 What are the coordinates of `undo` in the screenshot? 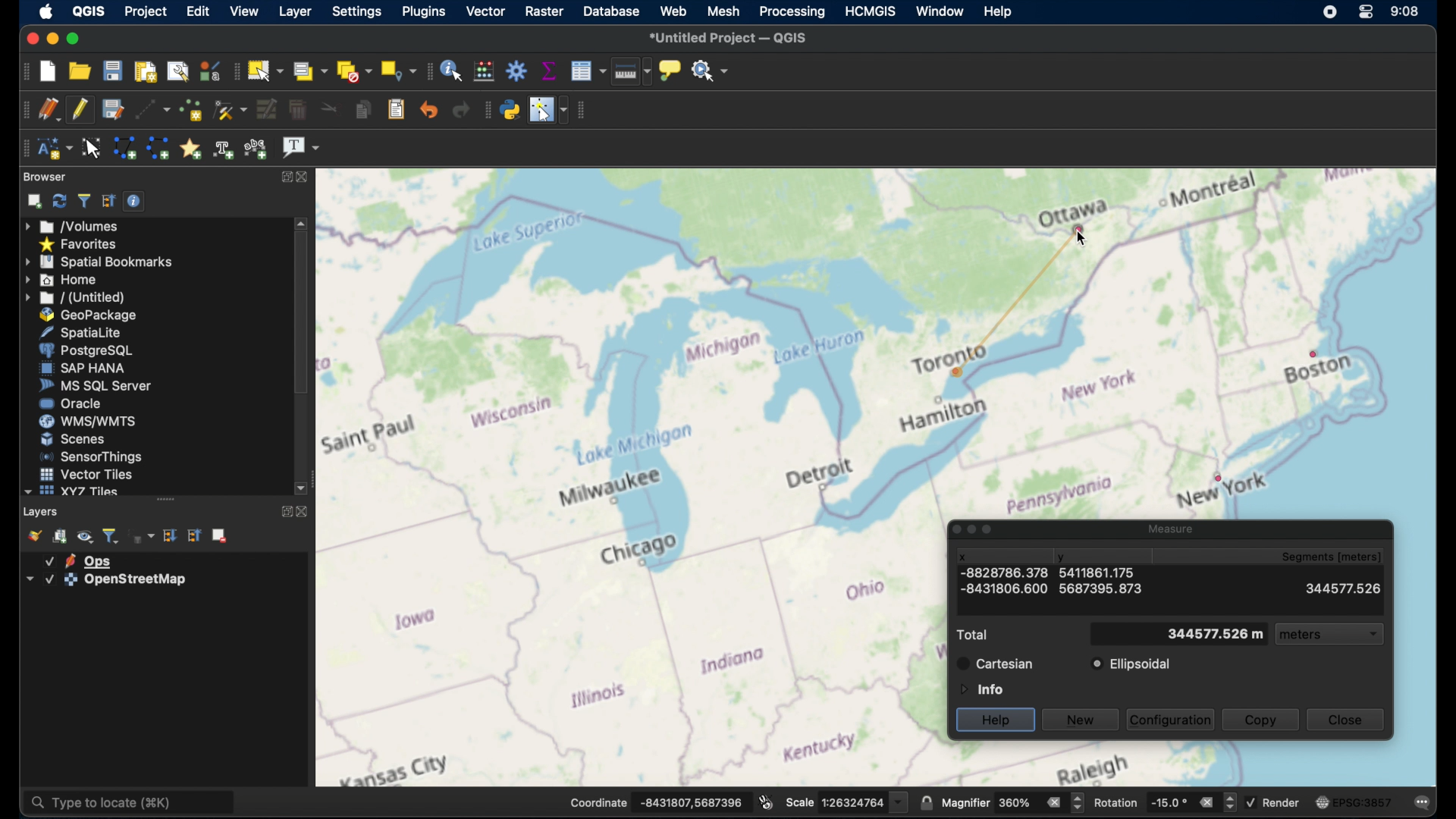 It's located at (429, 110).